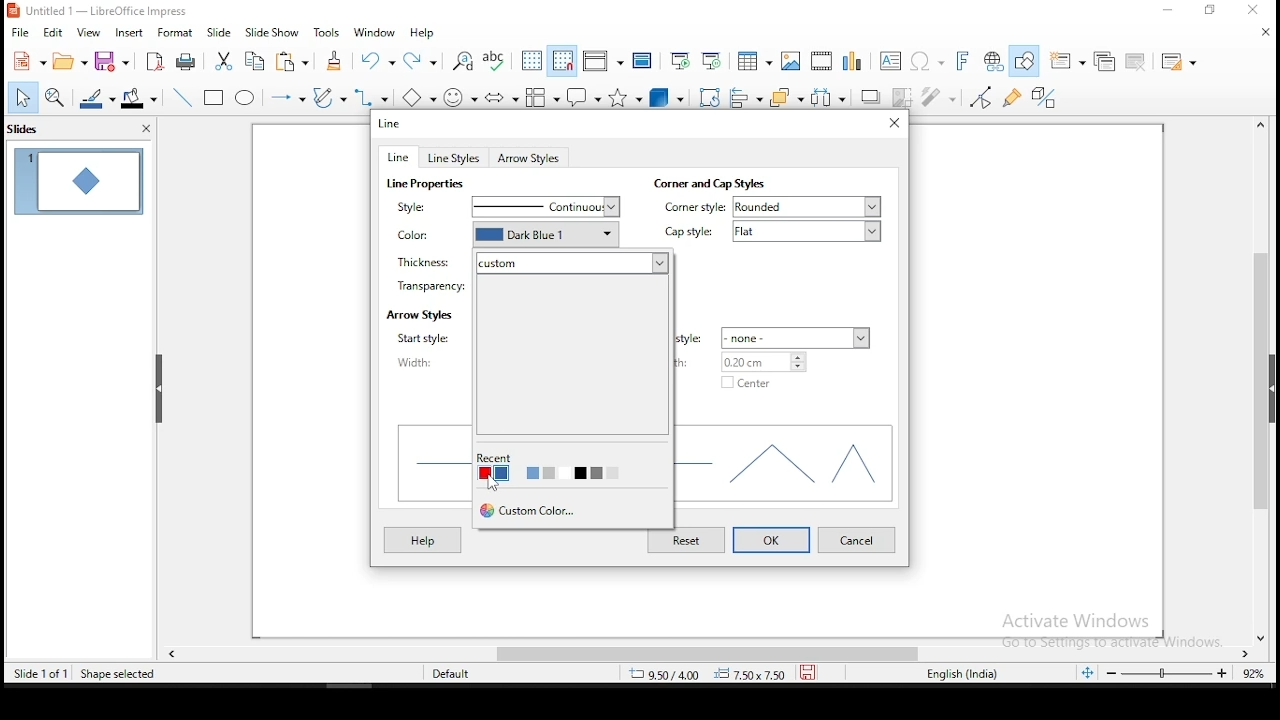 This screenshot has width=1280, height=720. What do you see at coordinates (1257, 124) in the screenshot?
I see `scroll up` at bounding box center [1257, 124].